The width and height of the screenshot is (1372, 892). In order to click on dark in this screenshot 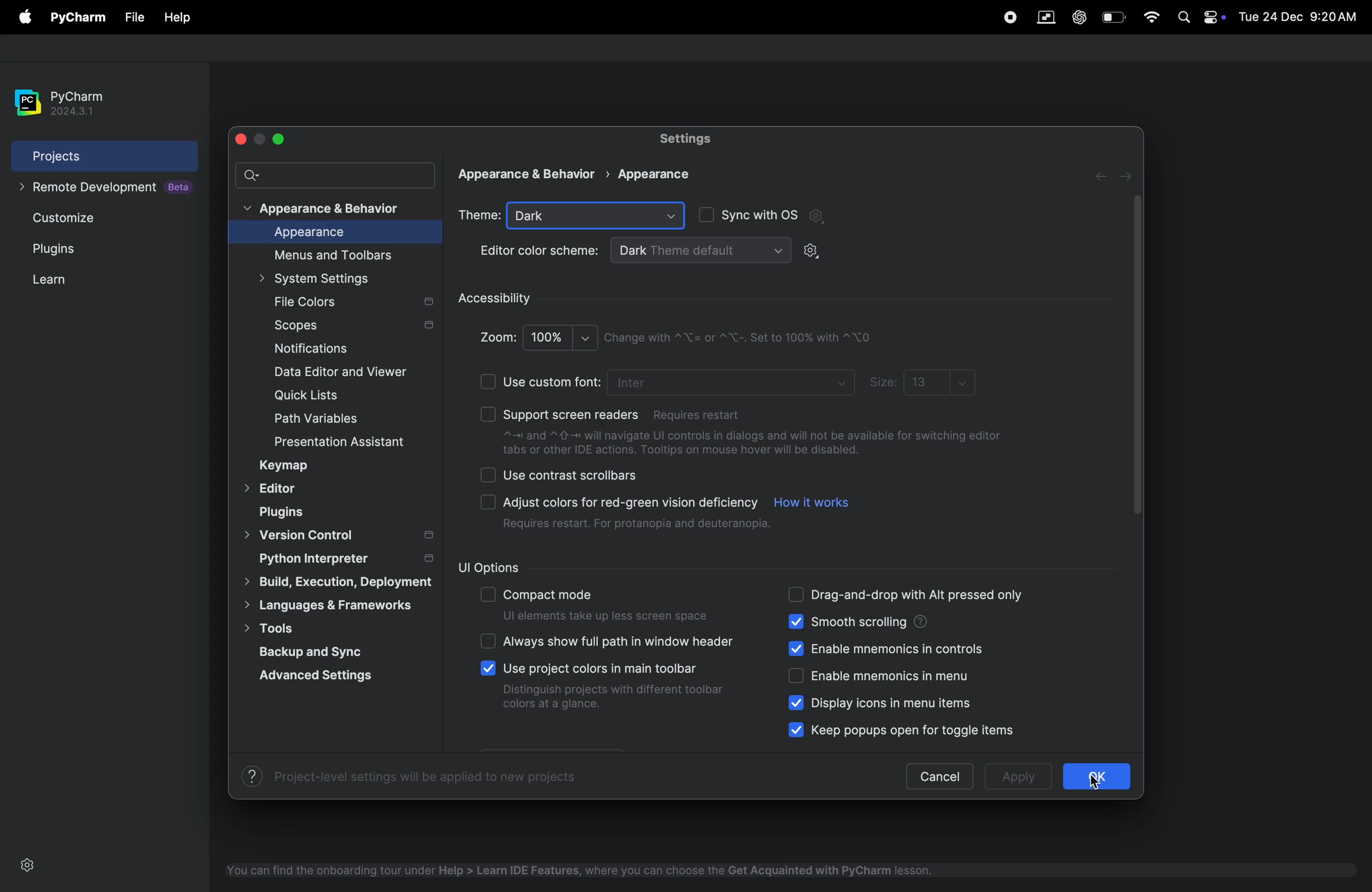, I will do `click(596, 216)`.